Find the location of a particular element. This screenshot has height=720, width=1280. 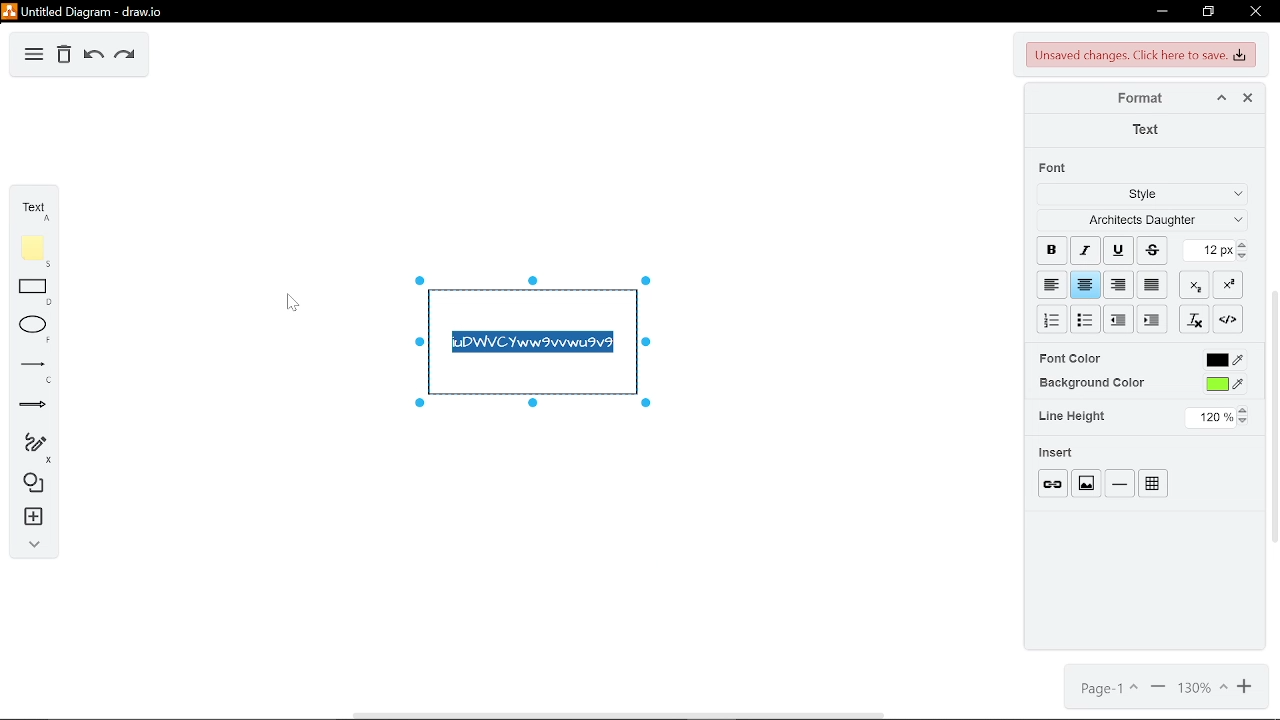

text is located at coordinates (30, 206).